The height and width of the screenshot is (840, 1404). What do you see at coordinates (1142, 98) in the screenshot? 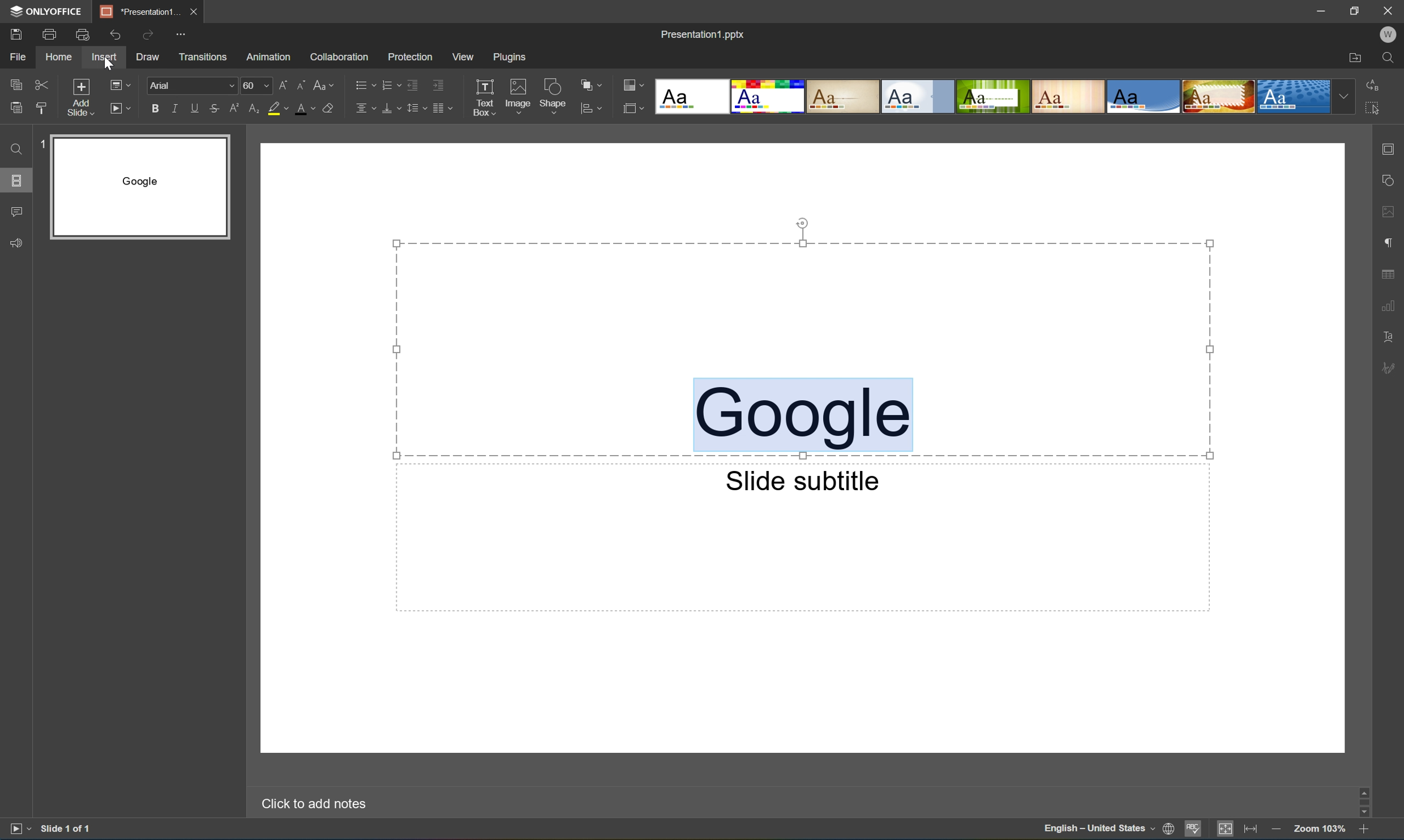
I see `Office` at bounding box center [1142, 98].